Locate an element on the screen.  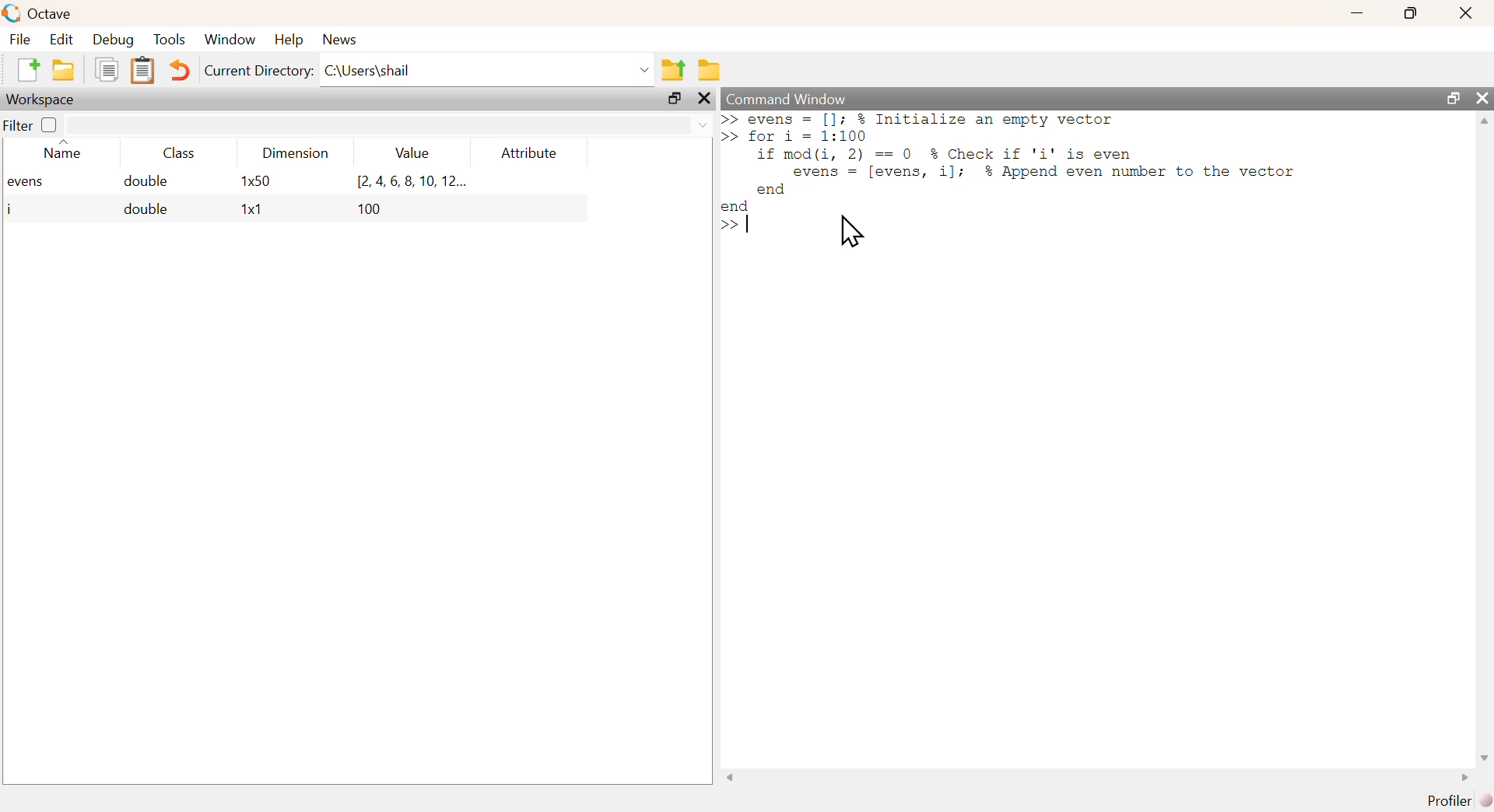
close is located at coordinates (1468, 12).